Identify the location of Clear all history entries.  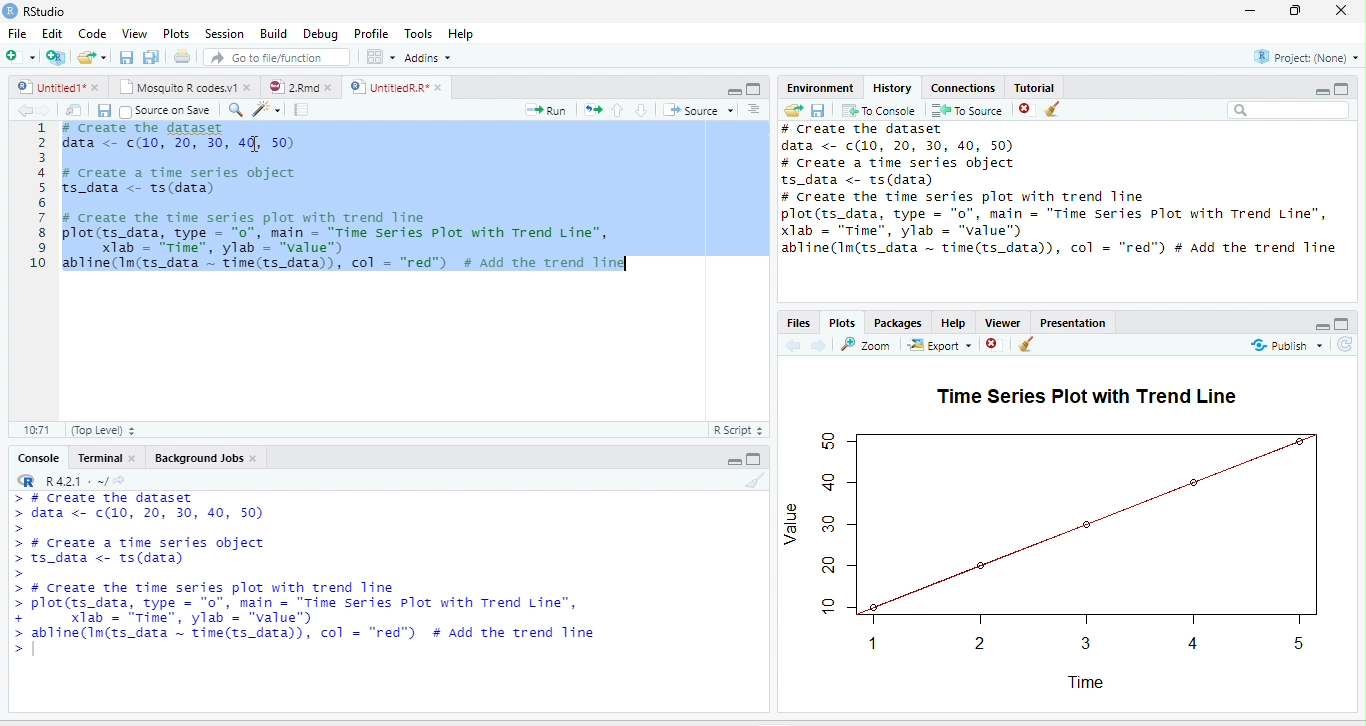
(1053, 109).